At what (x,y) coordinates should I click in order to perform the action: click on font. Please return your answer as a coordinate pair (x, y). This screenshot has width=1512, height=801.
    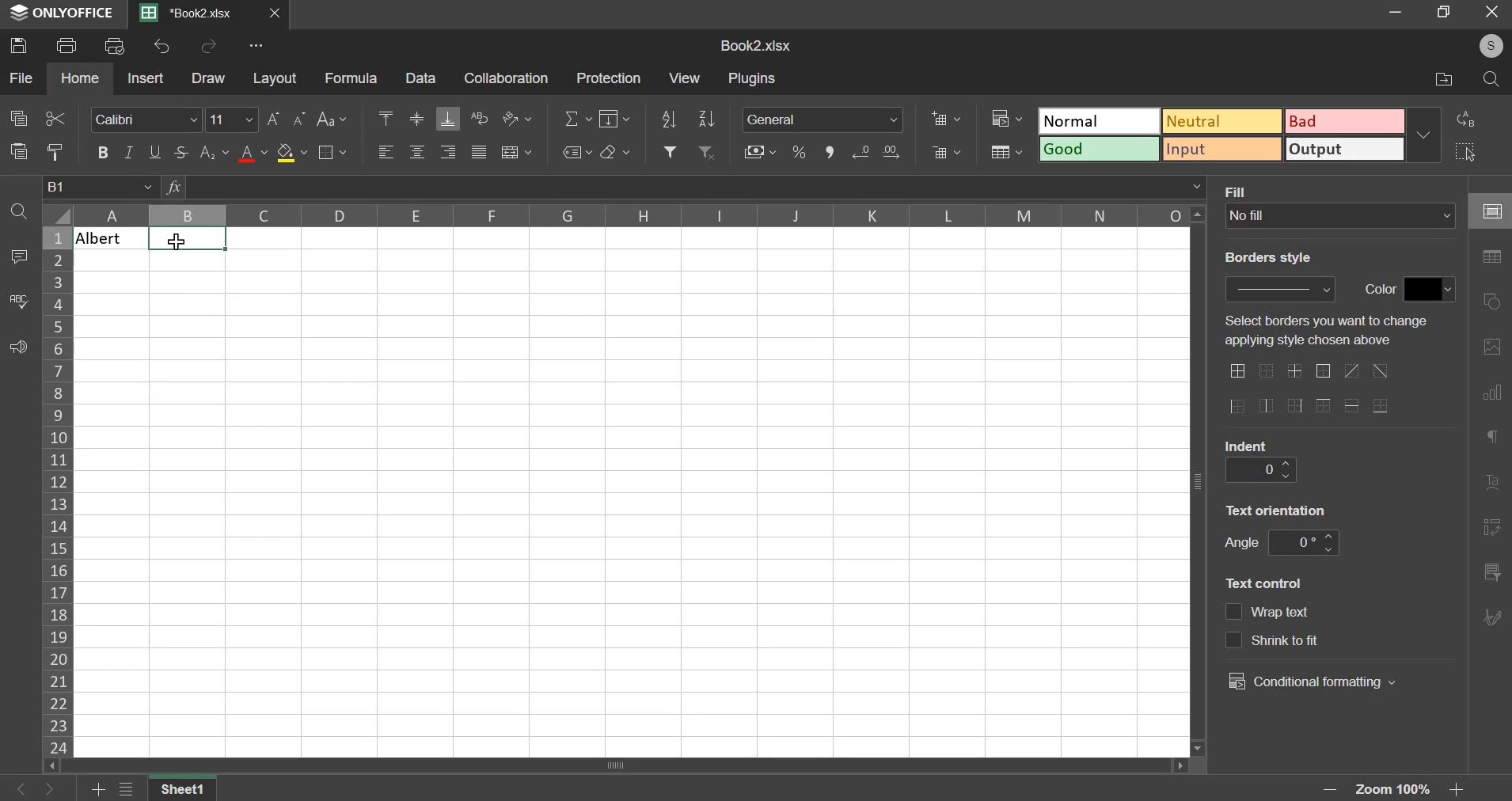
    Looking at the image, I should click on (146, 120).